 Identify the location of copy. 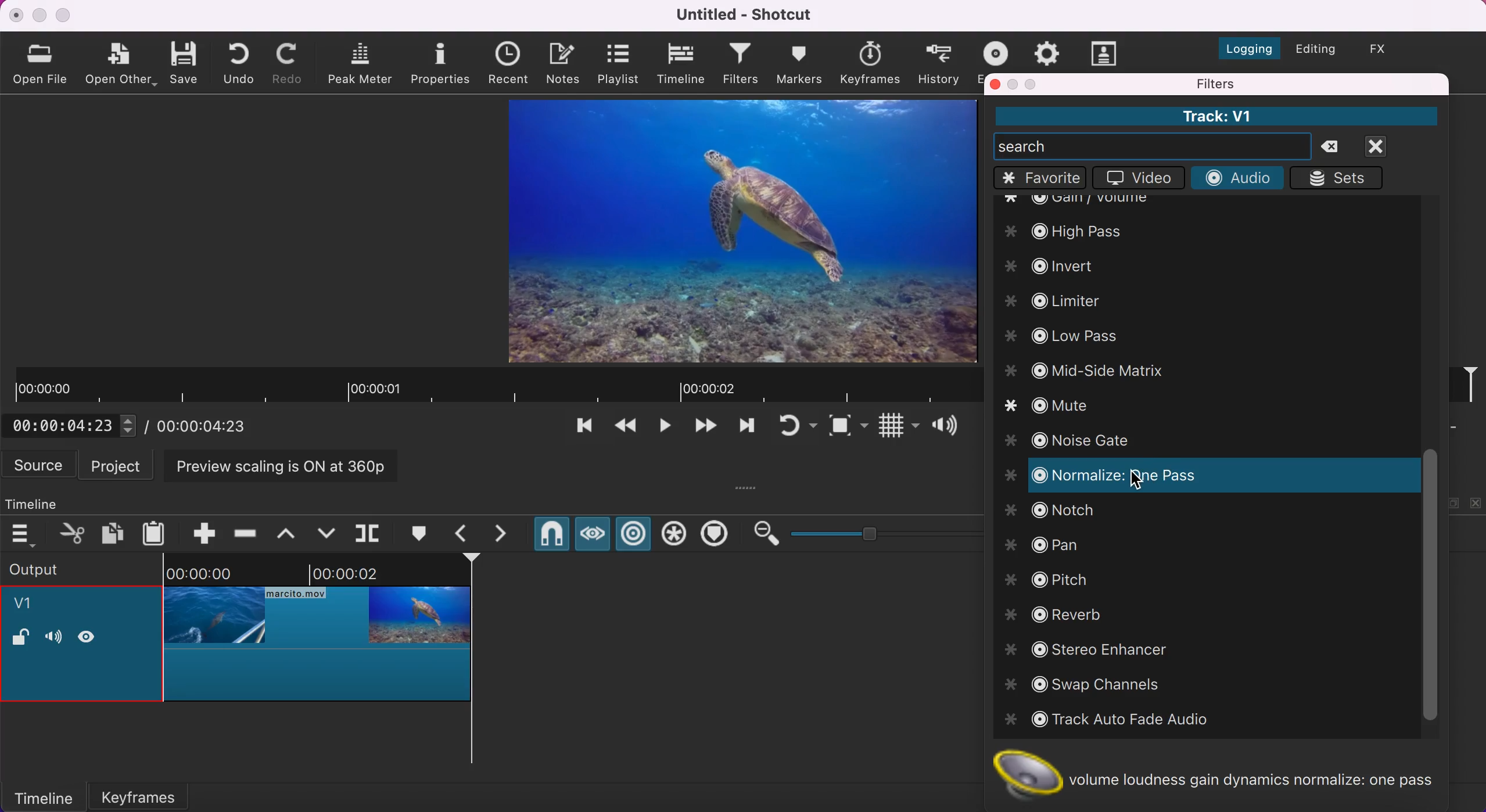
(114, 532).